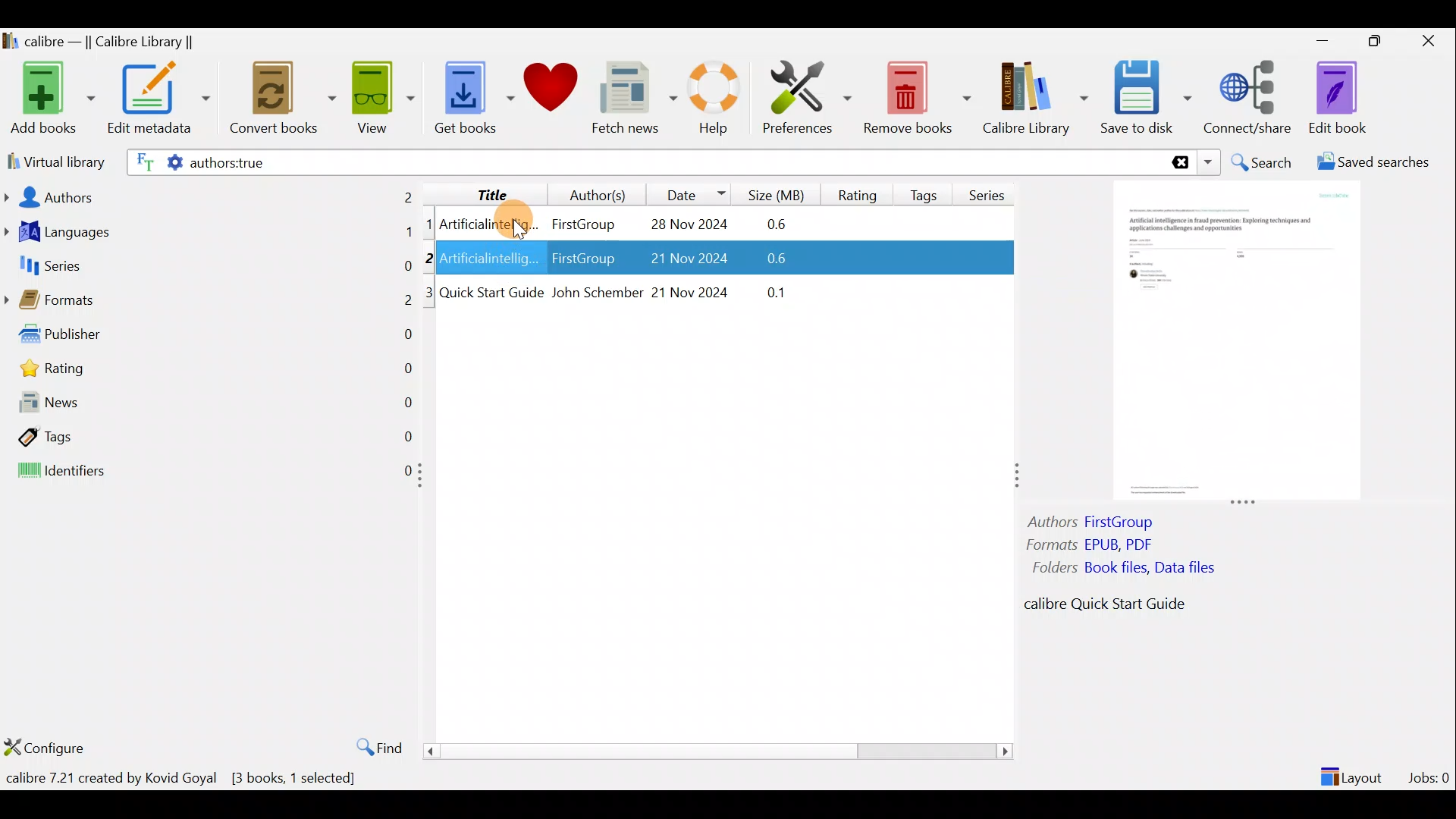 The image size is (1456, 819). Describe the element at coordinates (1250, 95) in the screenshot. I see `Connect/share` at that location.